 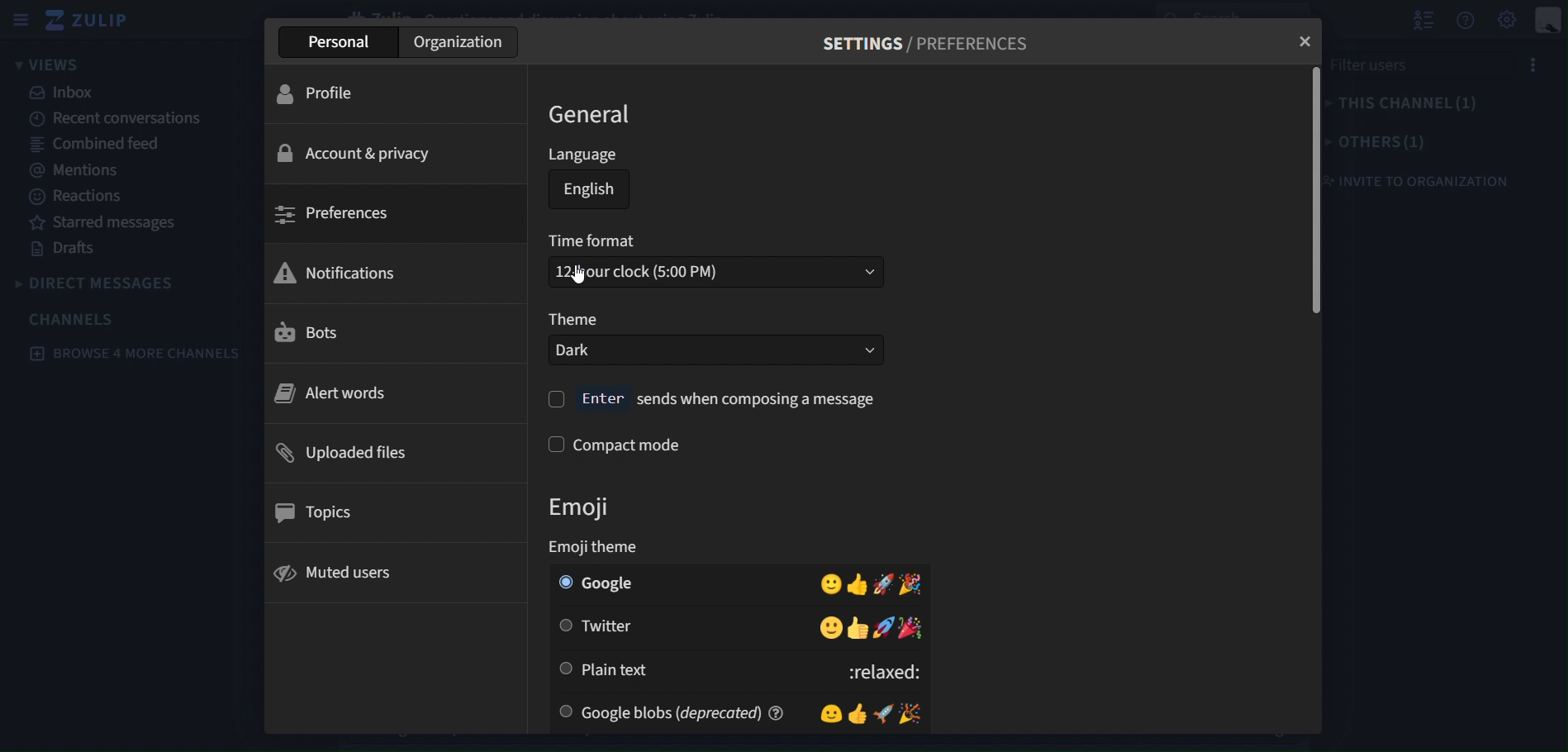 What do you see at coordinates (586, 189) in the screenshot?
I see `english` at bounding box center [586, 189].